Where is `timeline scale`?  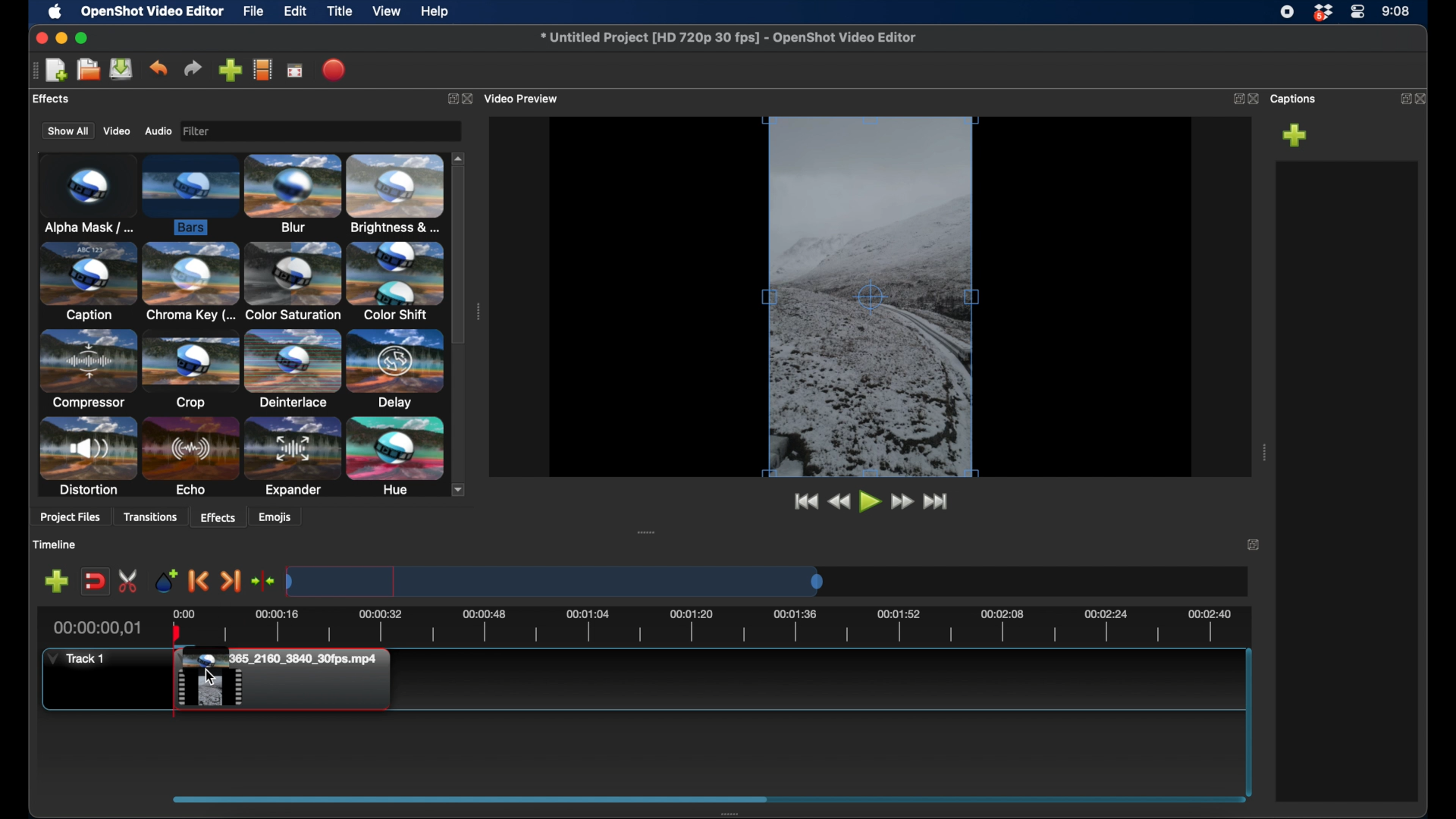 timeline scale is located at coordinates (554, 581).